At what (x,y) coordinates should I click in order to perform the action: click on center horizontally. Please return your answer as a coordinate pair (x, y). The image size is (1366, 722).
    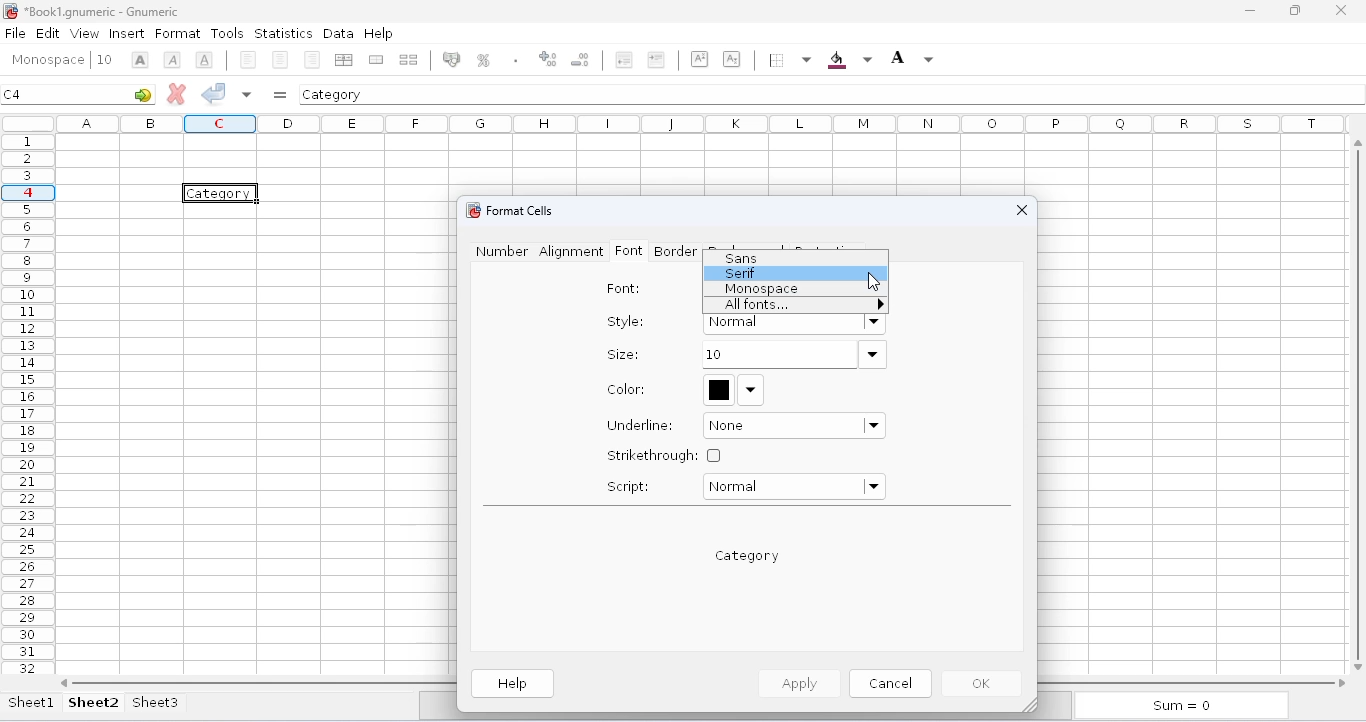
    Looking at the image, I should click on (281, 60).